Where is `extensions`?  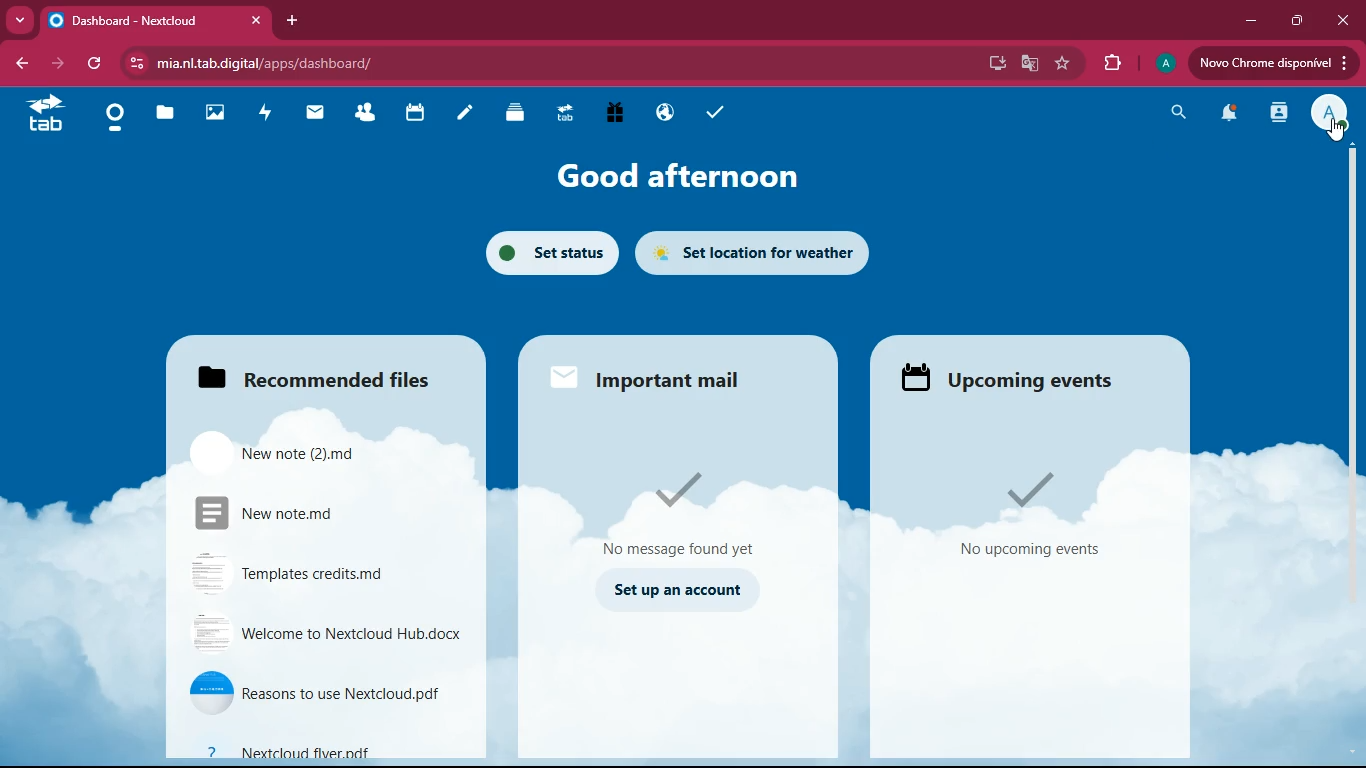 extensions is located at coordinates (1113, 61).